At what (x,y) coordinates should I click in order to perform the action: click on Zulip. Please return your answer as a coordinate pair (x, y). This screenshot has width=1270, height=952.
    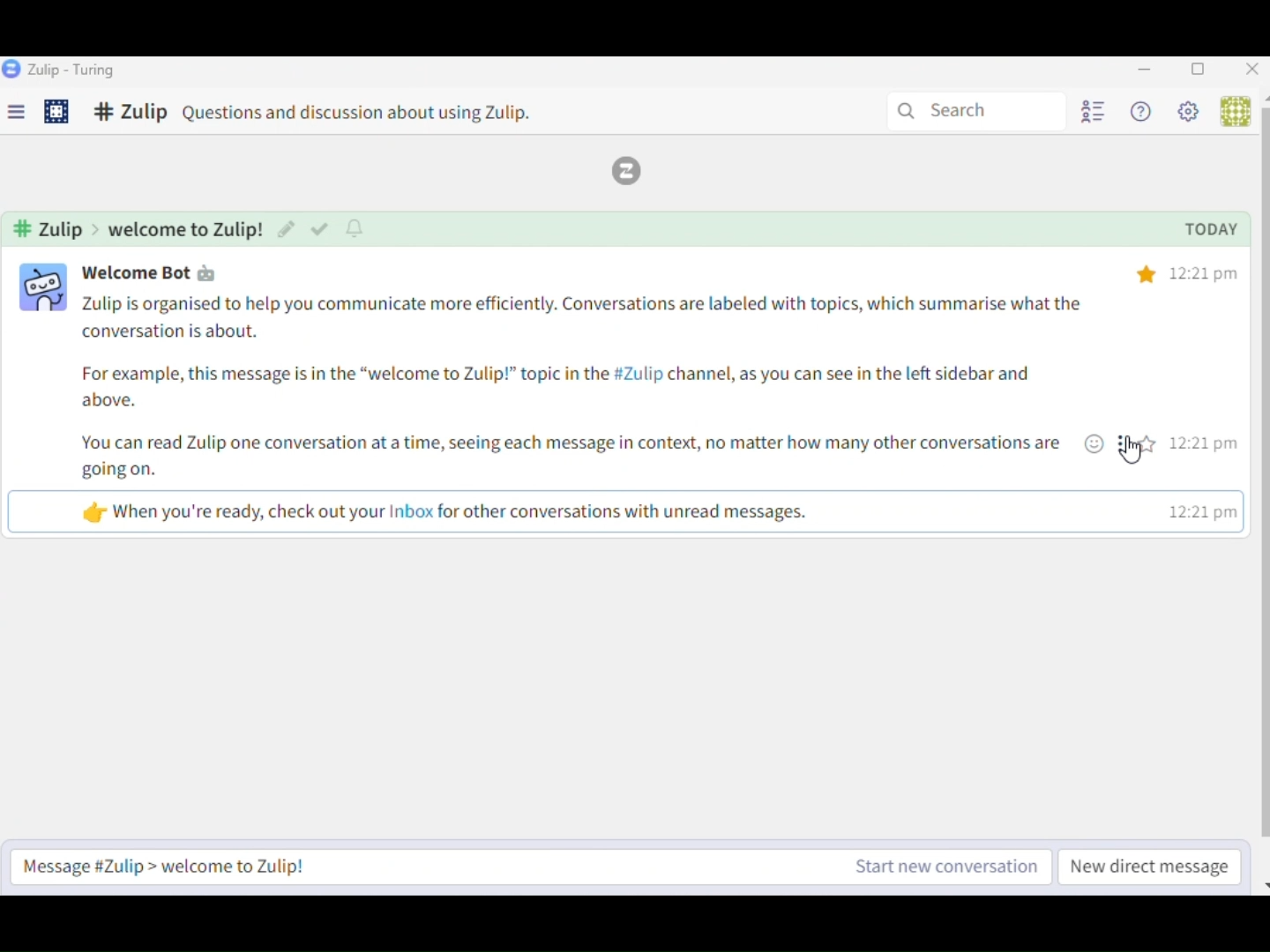
    Looking at the image, I should click on (60, 71).